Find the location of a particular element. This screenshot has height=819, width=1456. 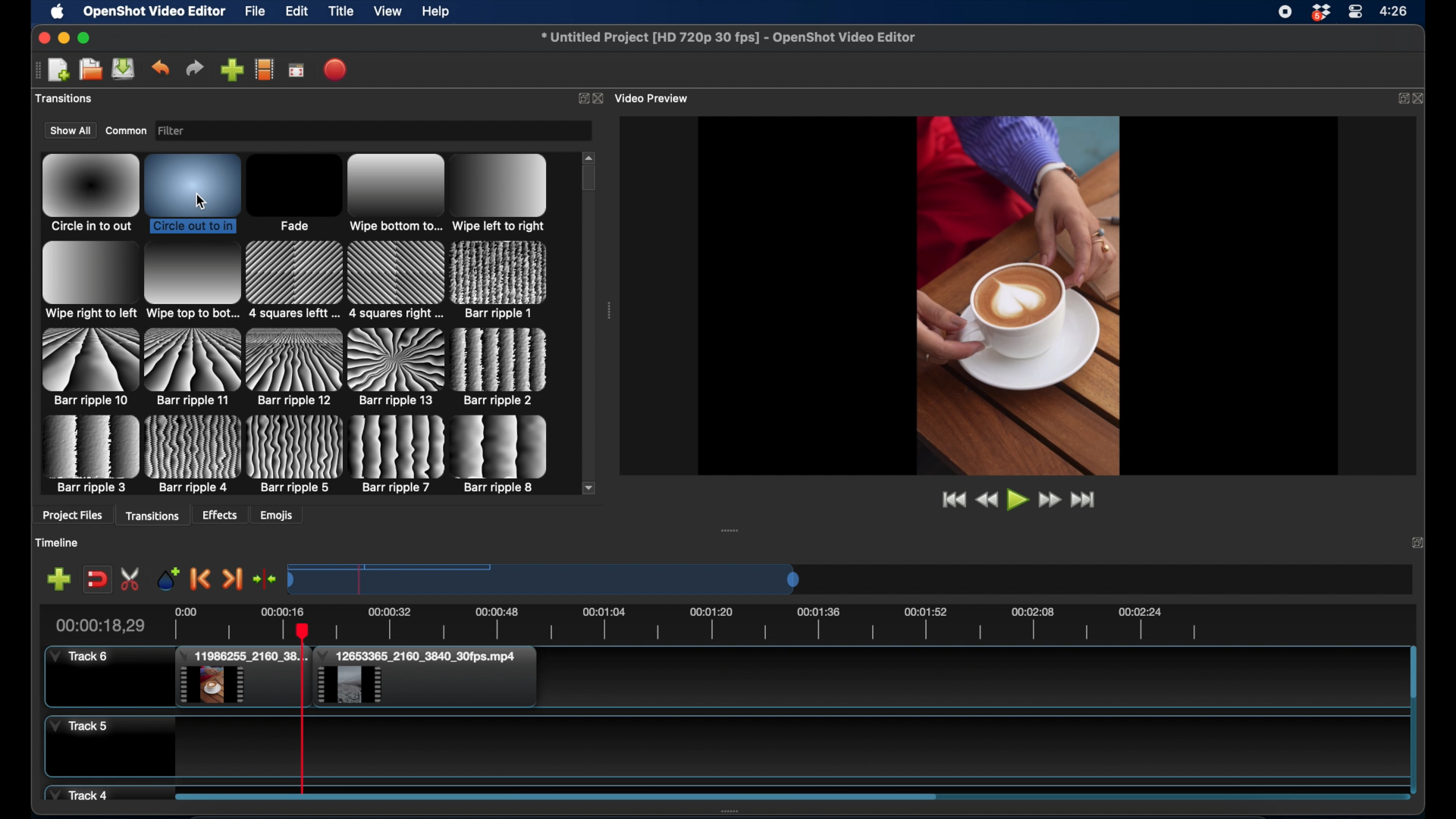

scroll down arrow is located at coordinates (589, 487).